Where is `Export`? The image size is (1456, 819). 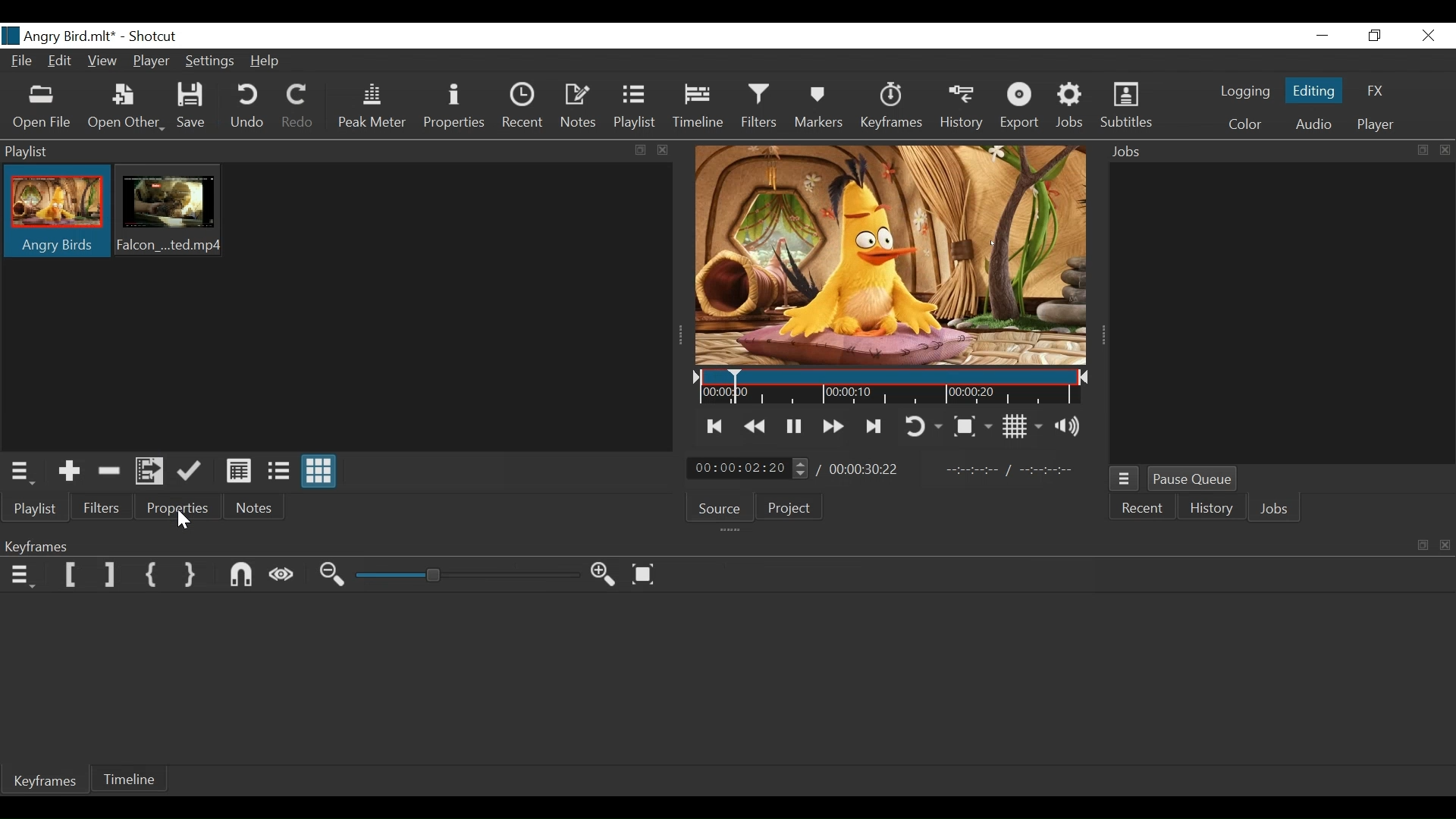 Export is located at coordinates (1023, 108).